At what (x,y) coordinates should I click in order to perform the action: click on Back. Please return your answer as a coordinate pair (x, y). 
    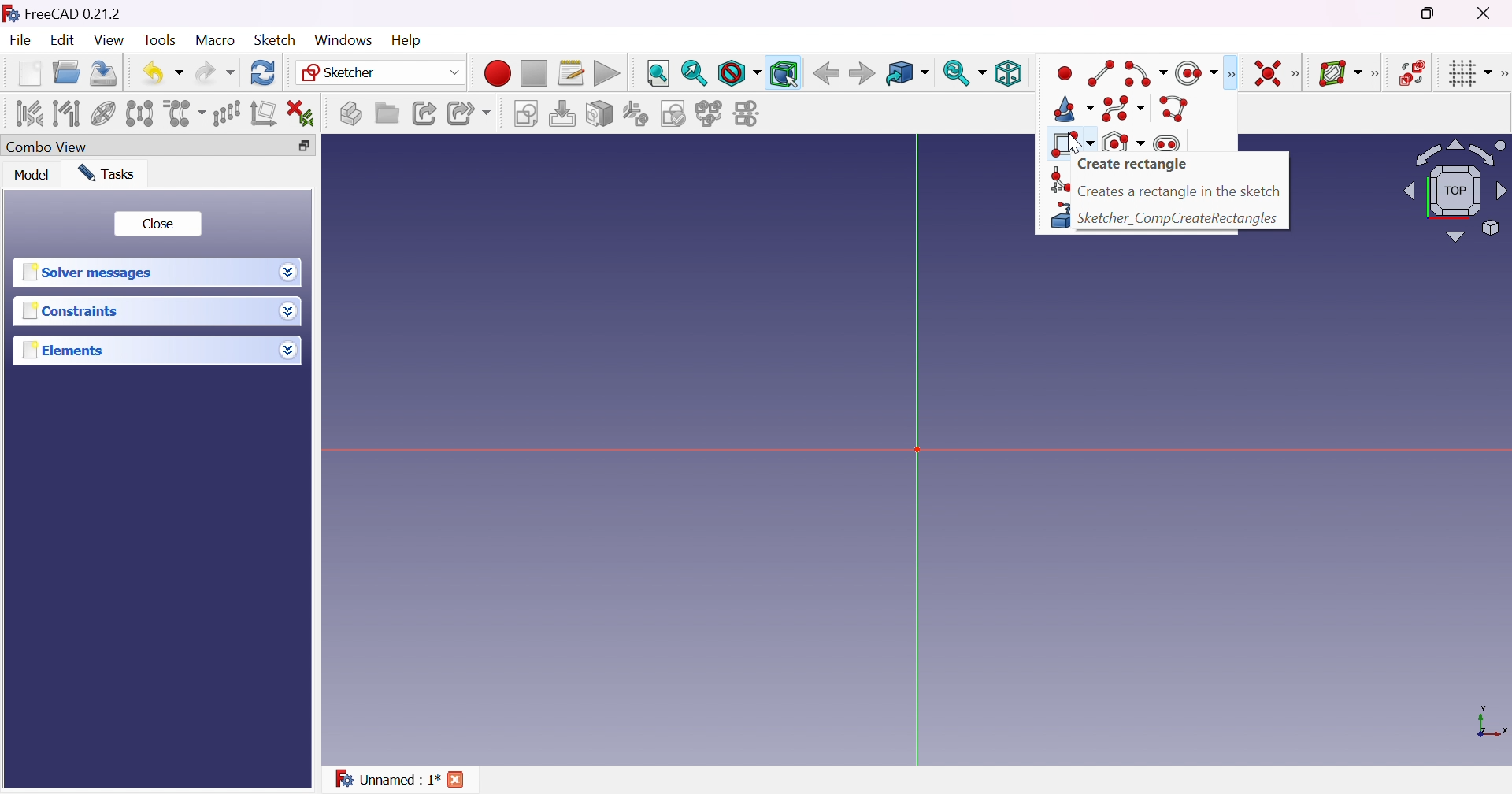
    Looking at the image, I should click on (826, 74).